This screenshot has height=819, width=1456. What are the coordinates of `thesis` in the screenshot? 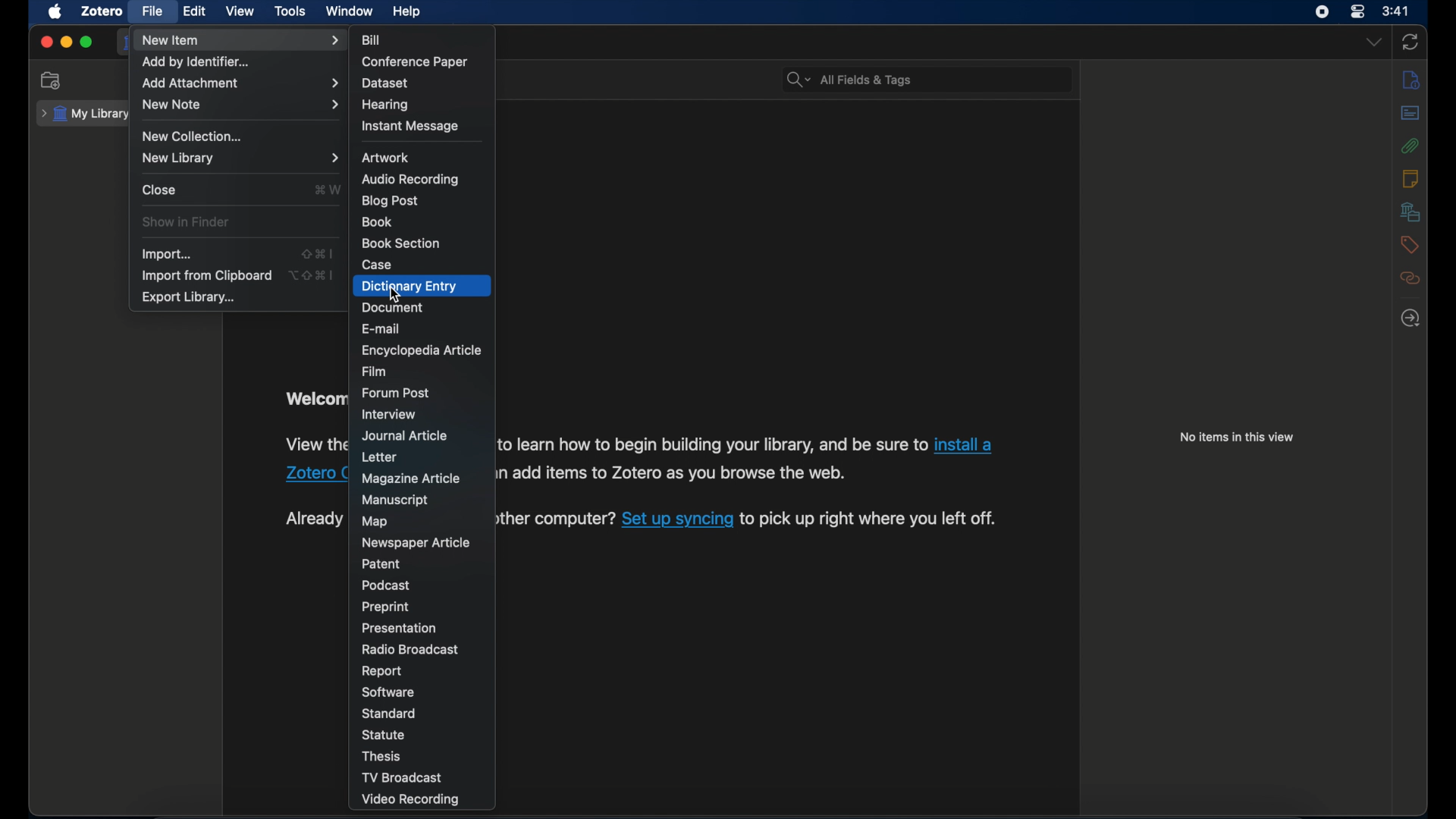 It's located at (383, 756).